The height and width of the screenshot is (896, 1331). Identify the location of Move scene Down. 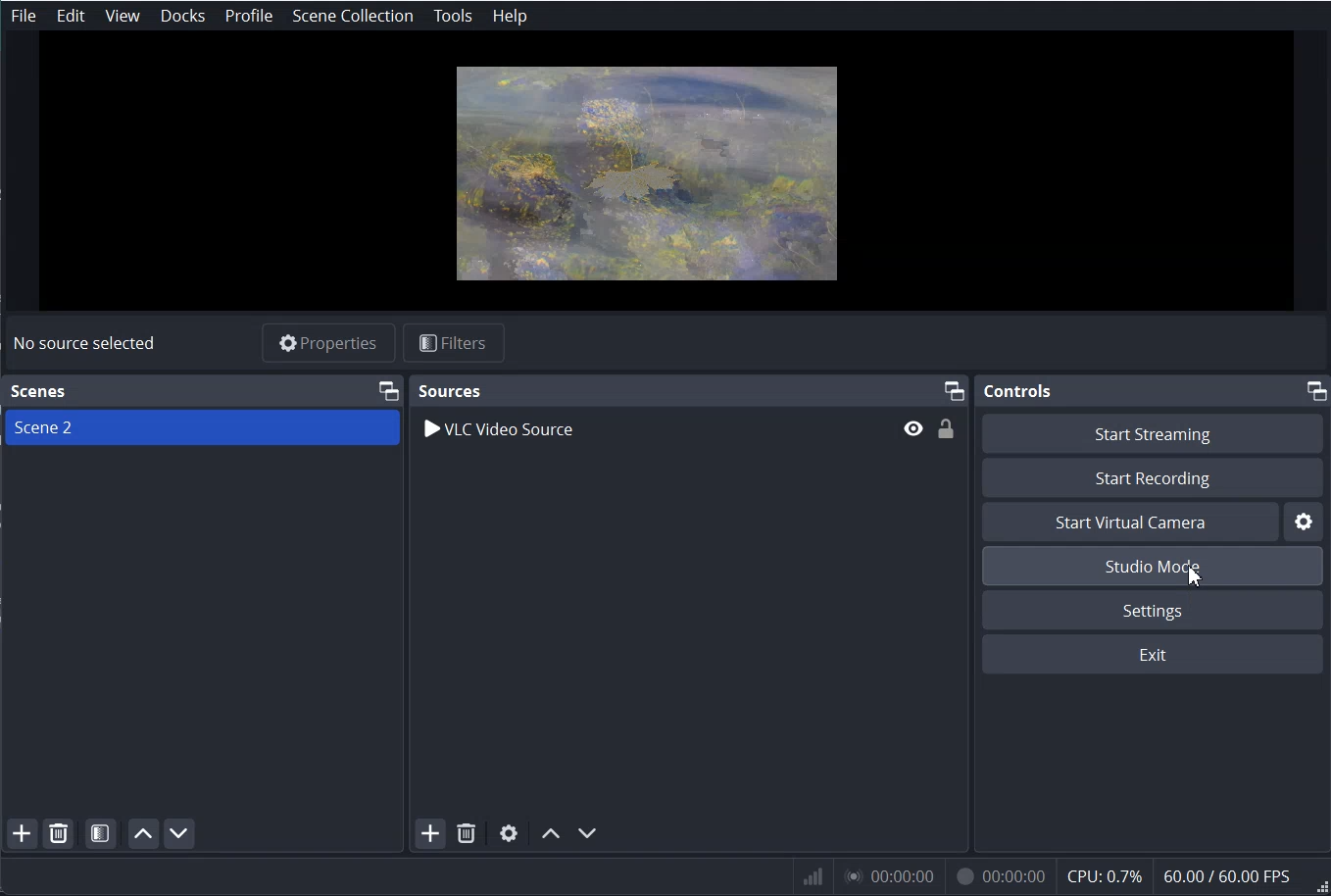
(179, 832).